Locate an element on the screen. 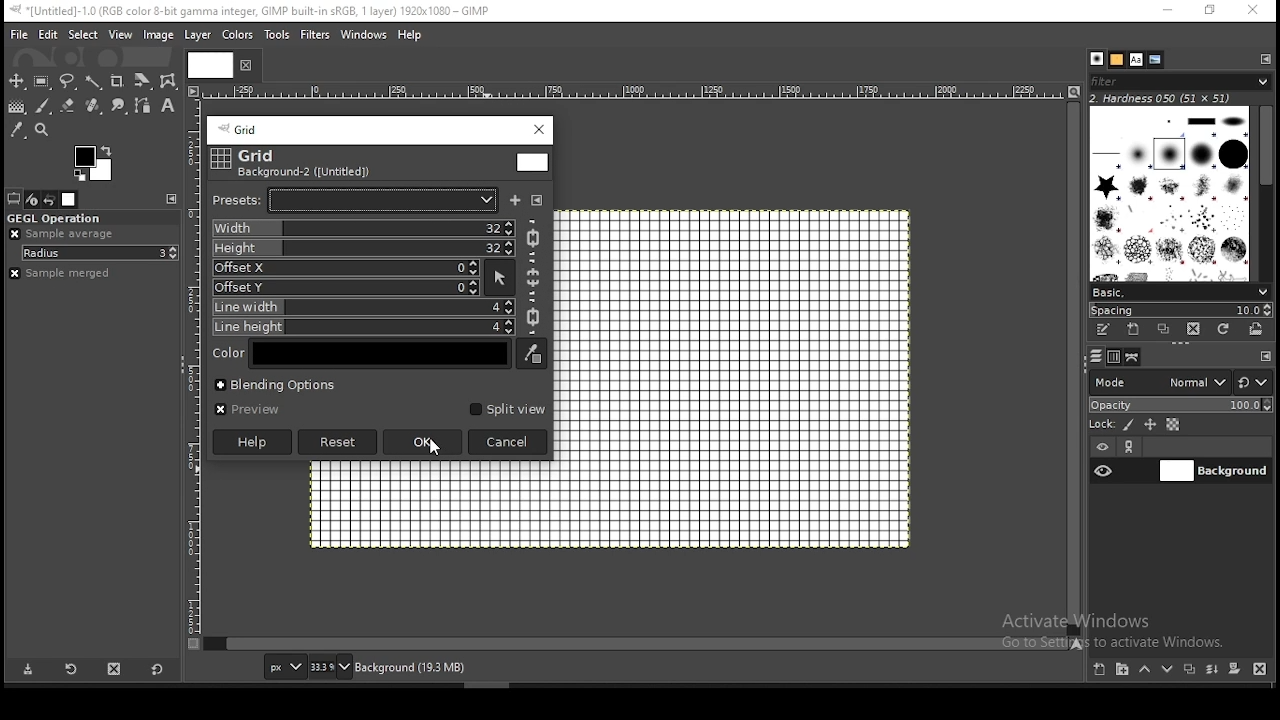  move layer on step up is located at coordinates (1148, 670).